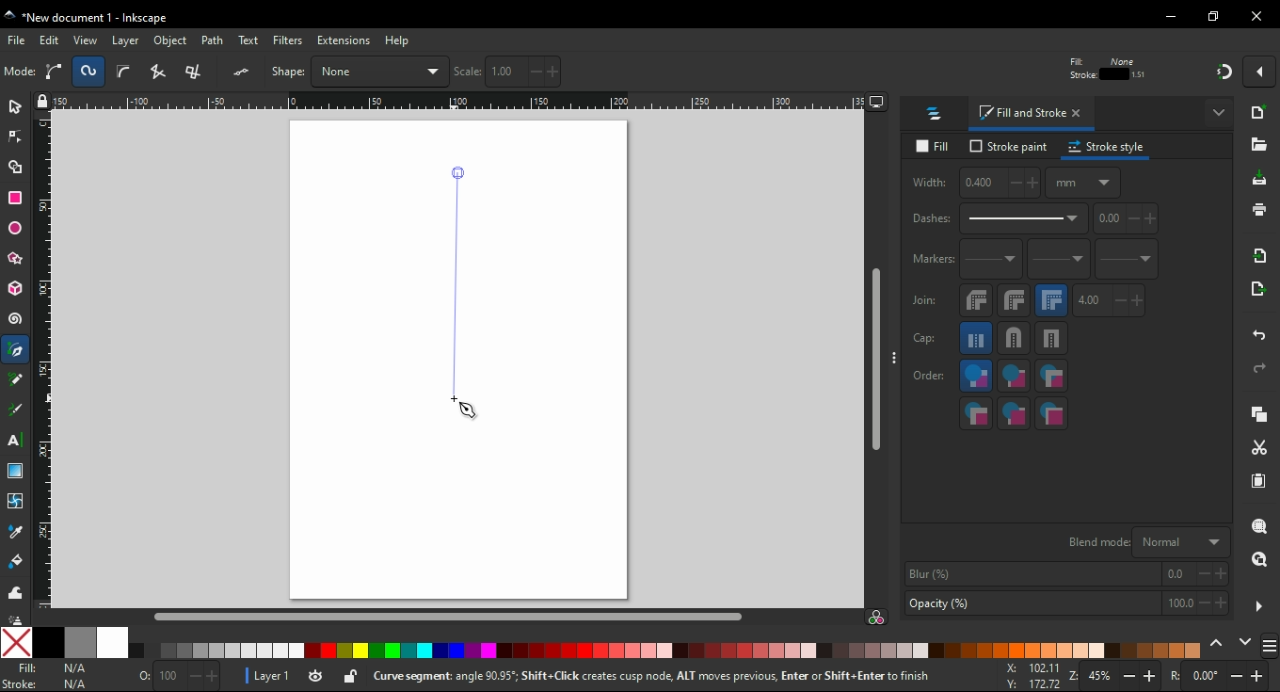  I want to click on , so click(1108, 299).